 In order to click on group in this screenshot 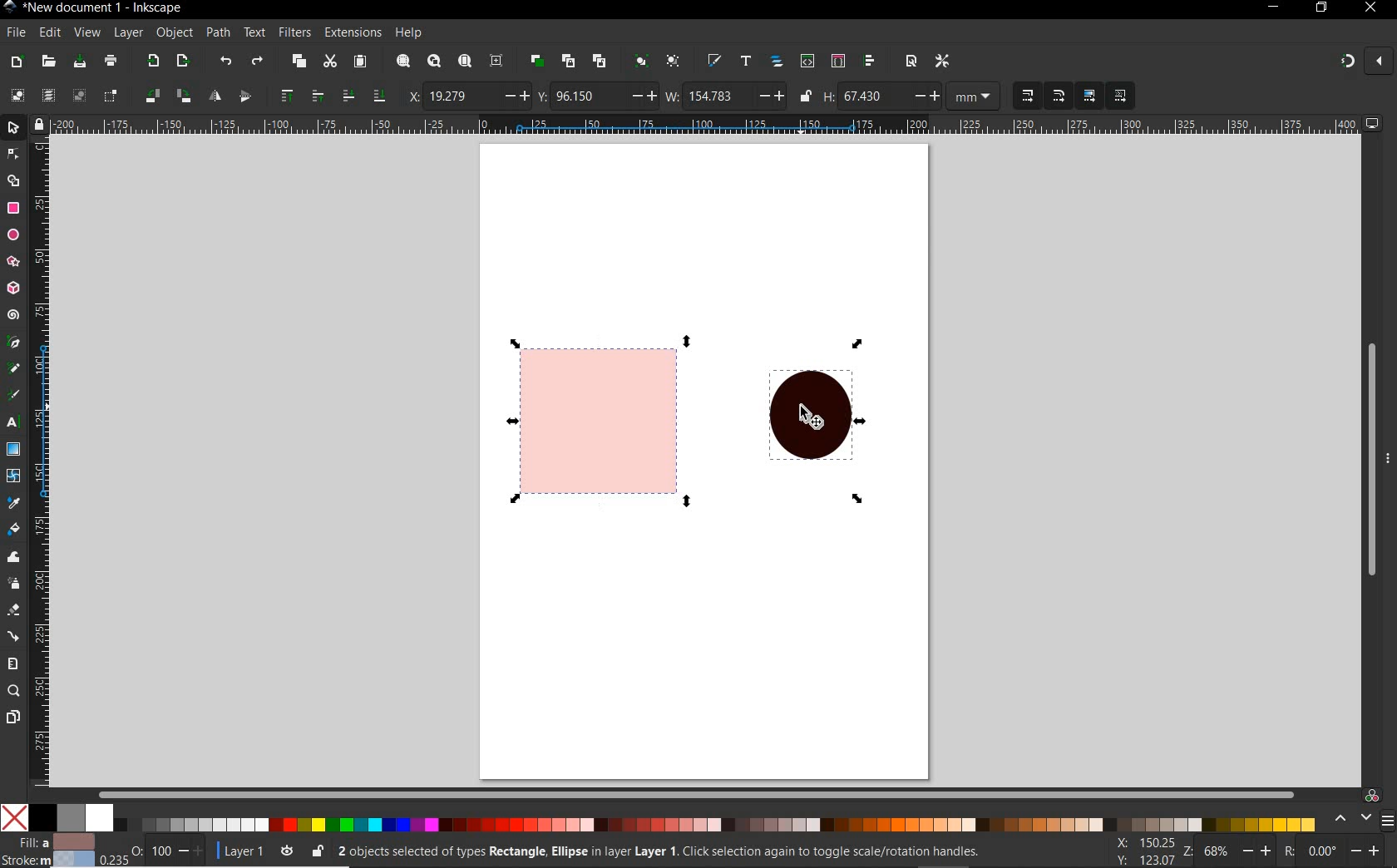, I will do `click(643, 62)`.